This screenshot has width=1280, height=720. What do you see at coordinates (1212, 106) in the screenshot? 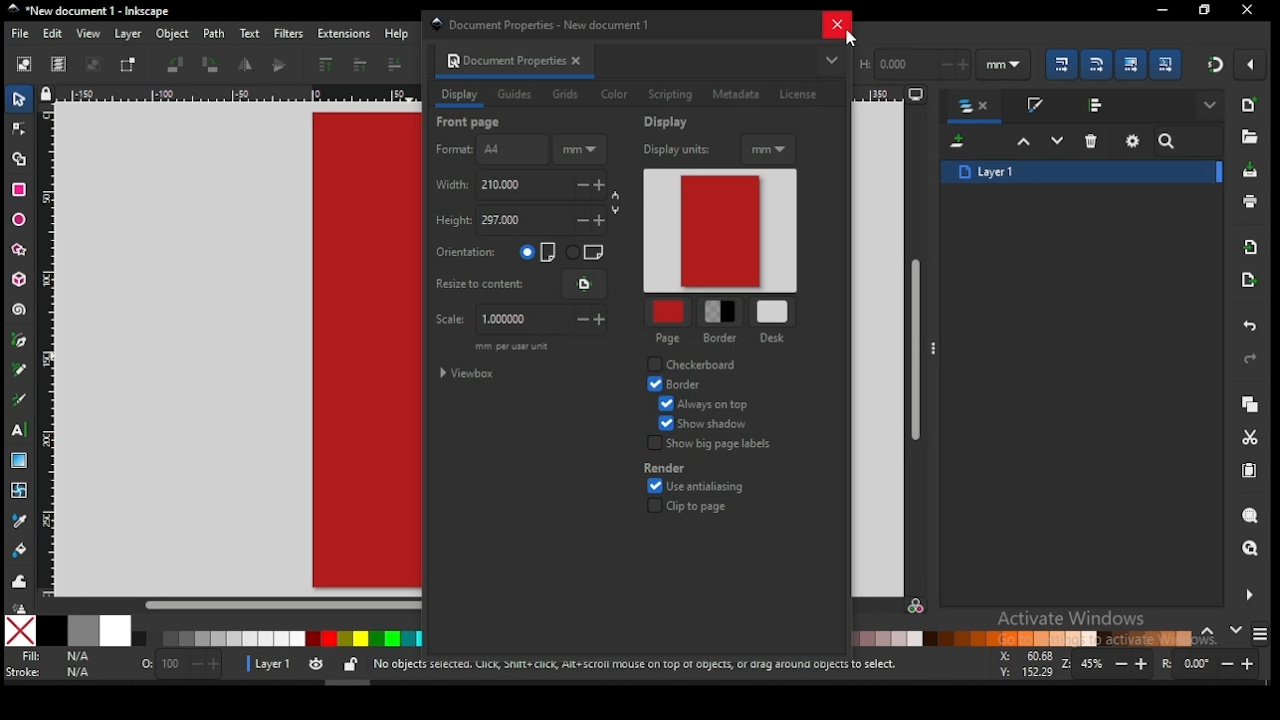
I see `show` at bounding box center [1212, 106].